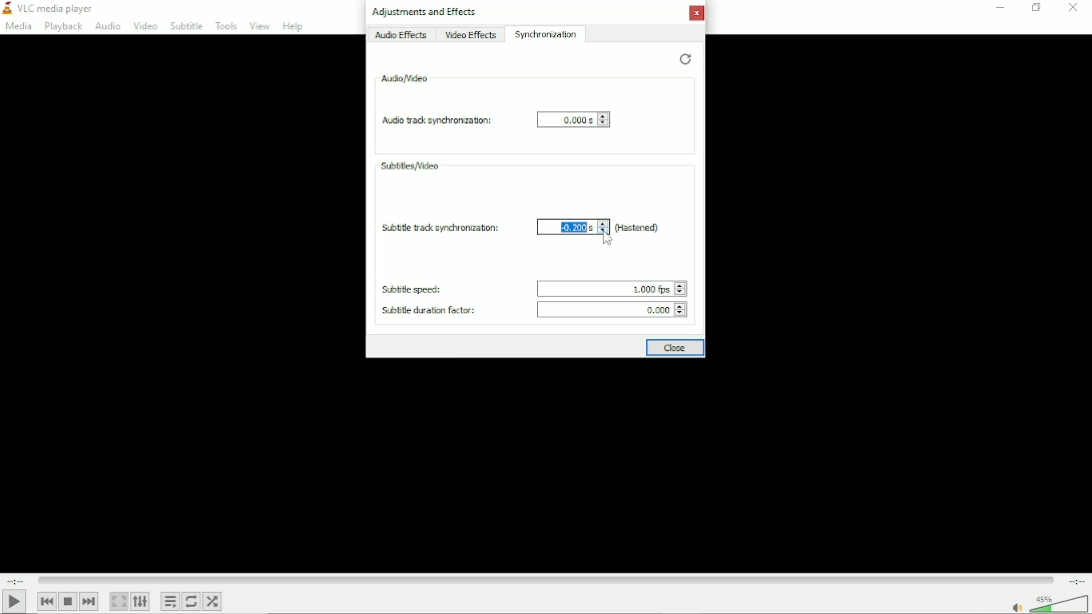 This screenshot has height=614, width=1092. I want to click on Next, so click(90, 602).